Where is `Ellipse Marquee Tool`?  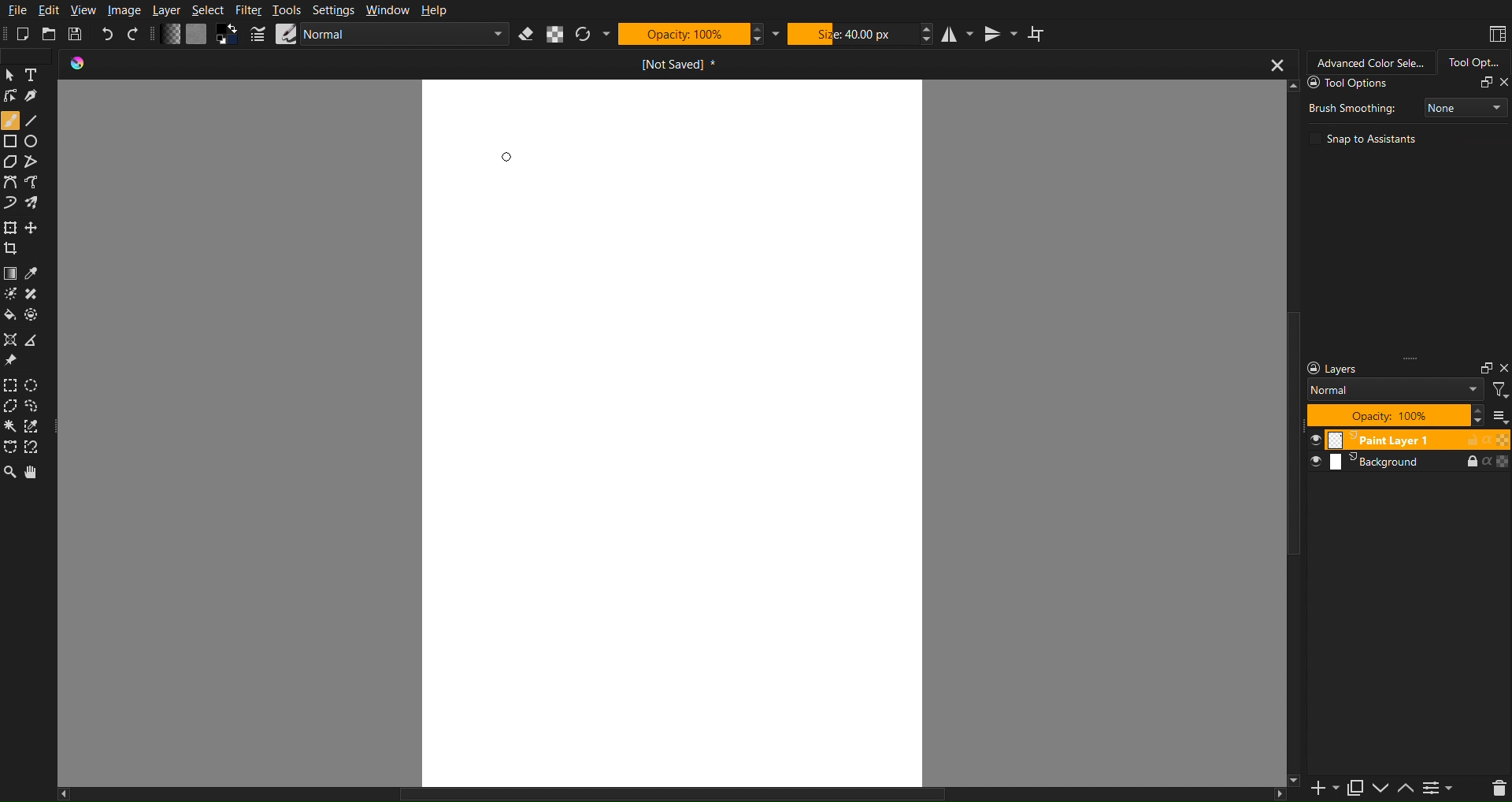 Ellipse Marquee Tool is located at coordinates (35, 387).